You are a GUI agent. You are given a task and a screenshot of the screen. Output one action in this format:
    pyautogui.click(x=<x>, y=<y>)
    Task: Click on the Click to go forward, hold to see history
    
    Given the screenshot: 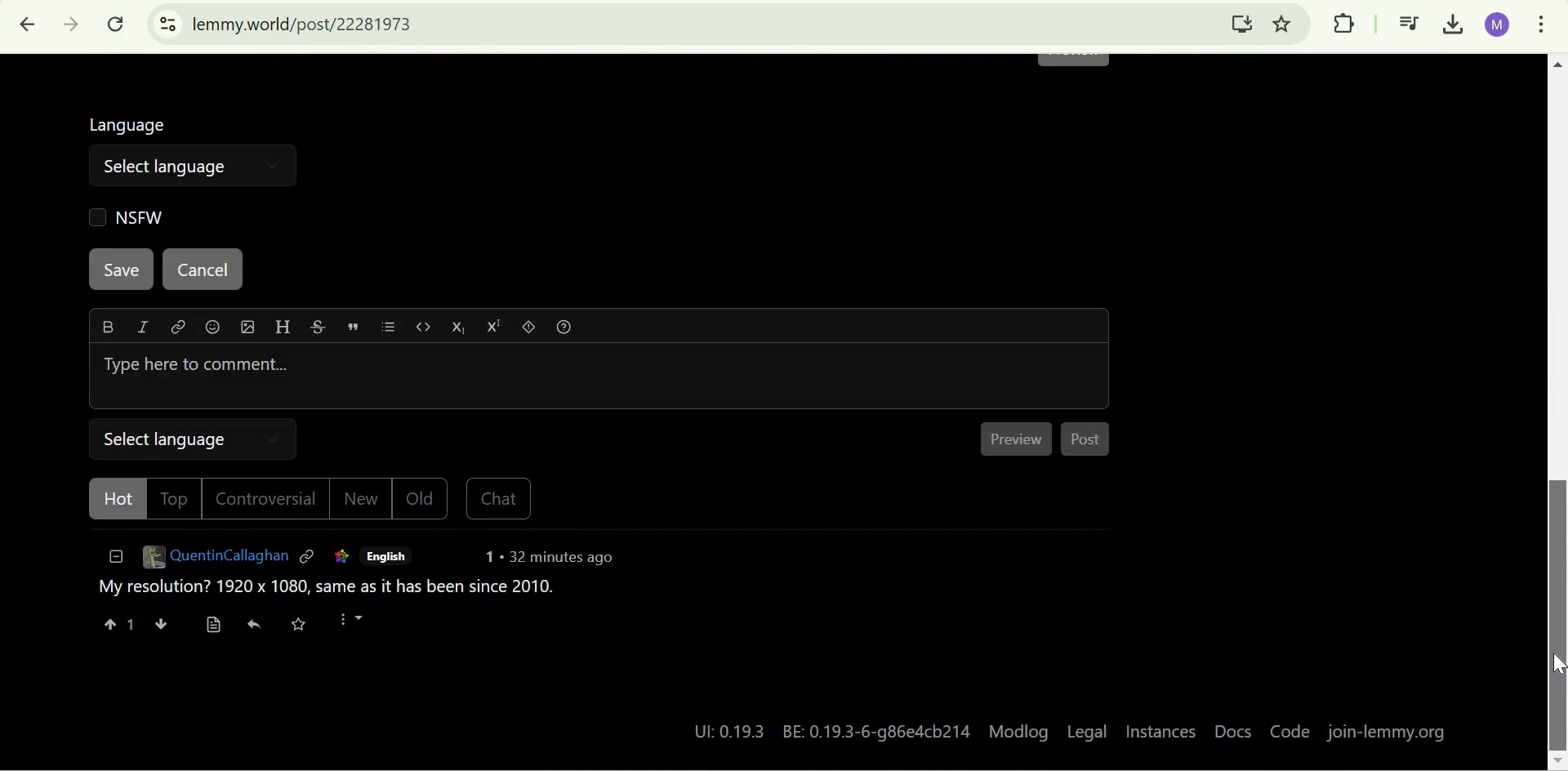 What is the action you would take?
    pyautogui.click(x=72, y=25)
    